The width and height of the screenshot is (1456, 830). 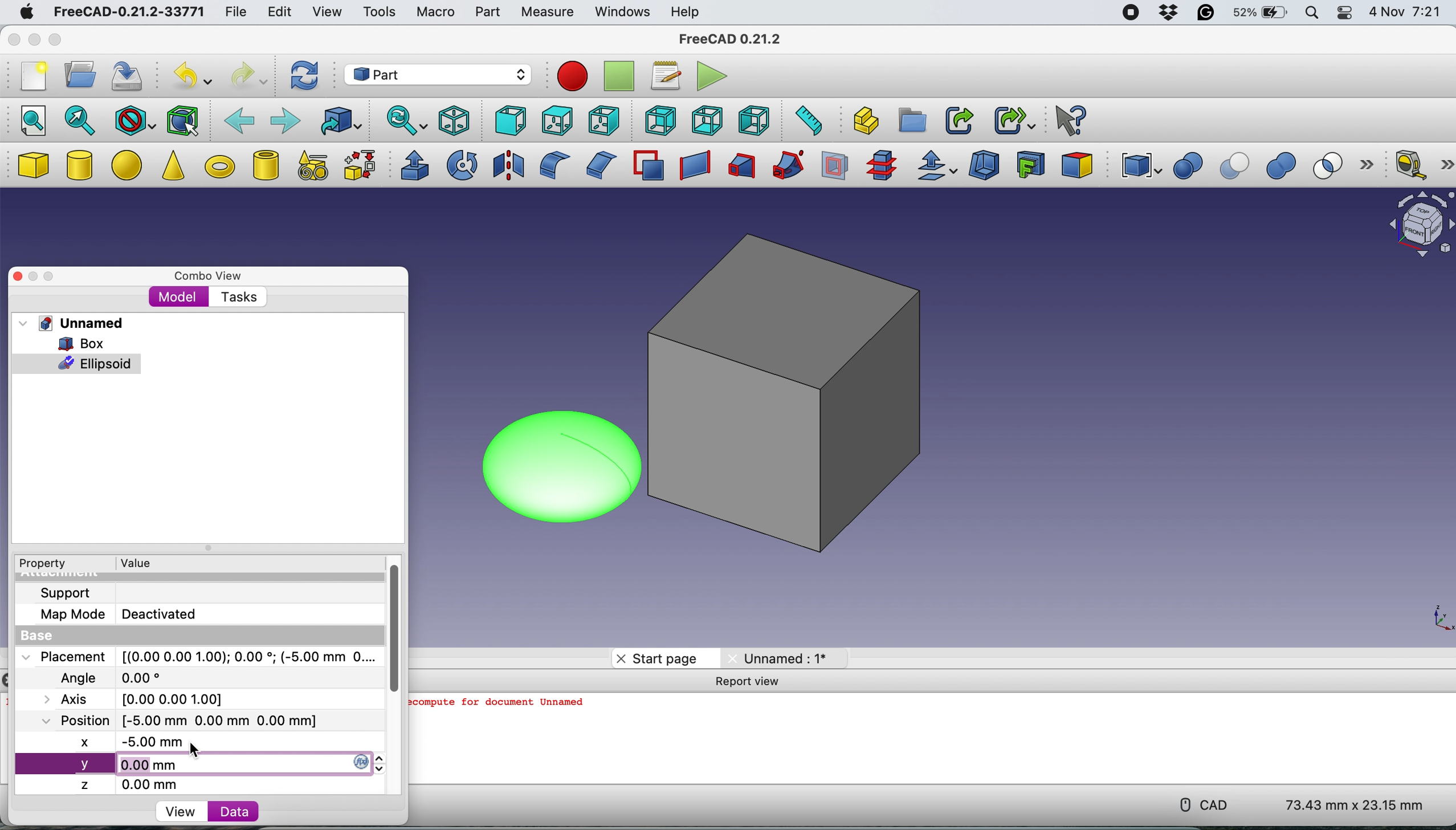 What do you see at coordinates (32, 636) in the screenshot?
I see `base` at bounding box center [32, 636].